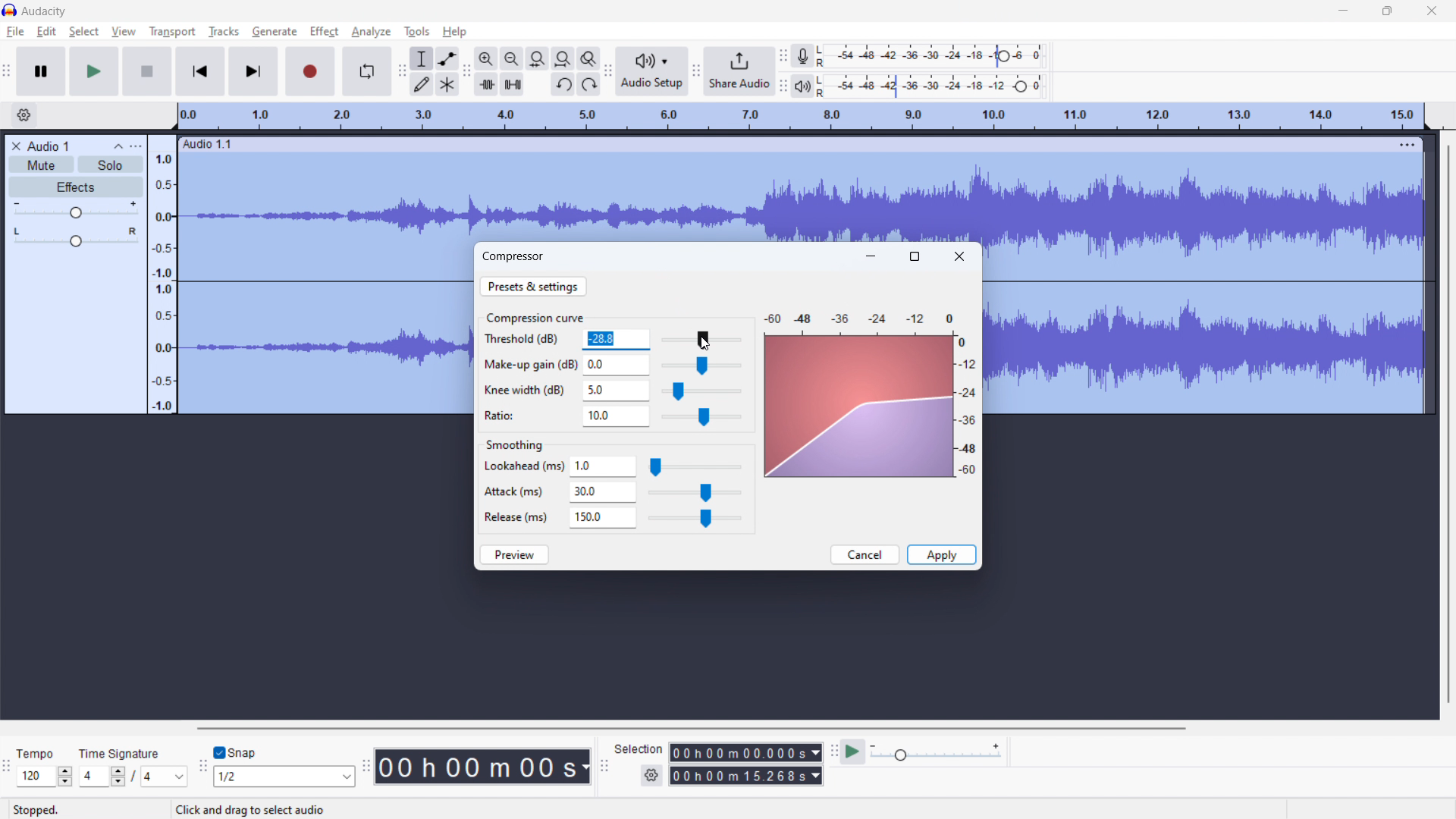 The height and width of the screenshot is (819, 1456). Describe the element at coordinates (466, 71) in the screenshot. I see `edit toolbar` at that location.